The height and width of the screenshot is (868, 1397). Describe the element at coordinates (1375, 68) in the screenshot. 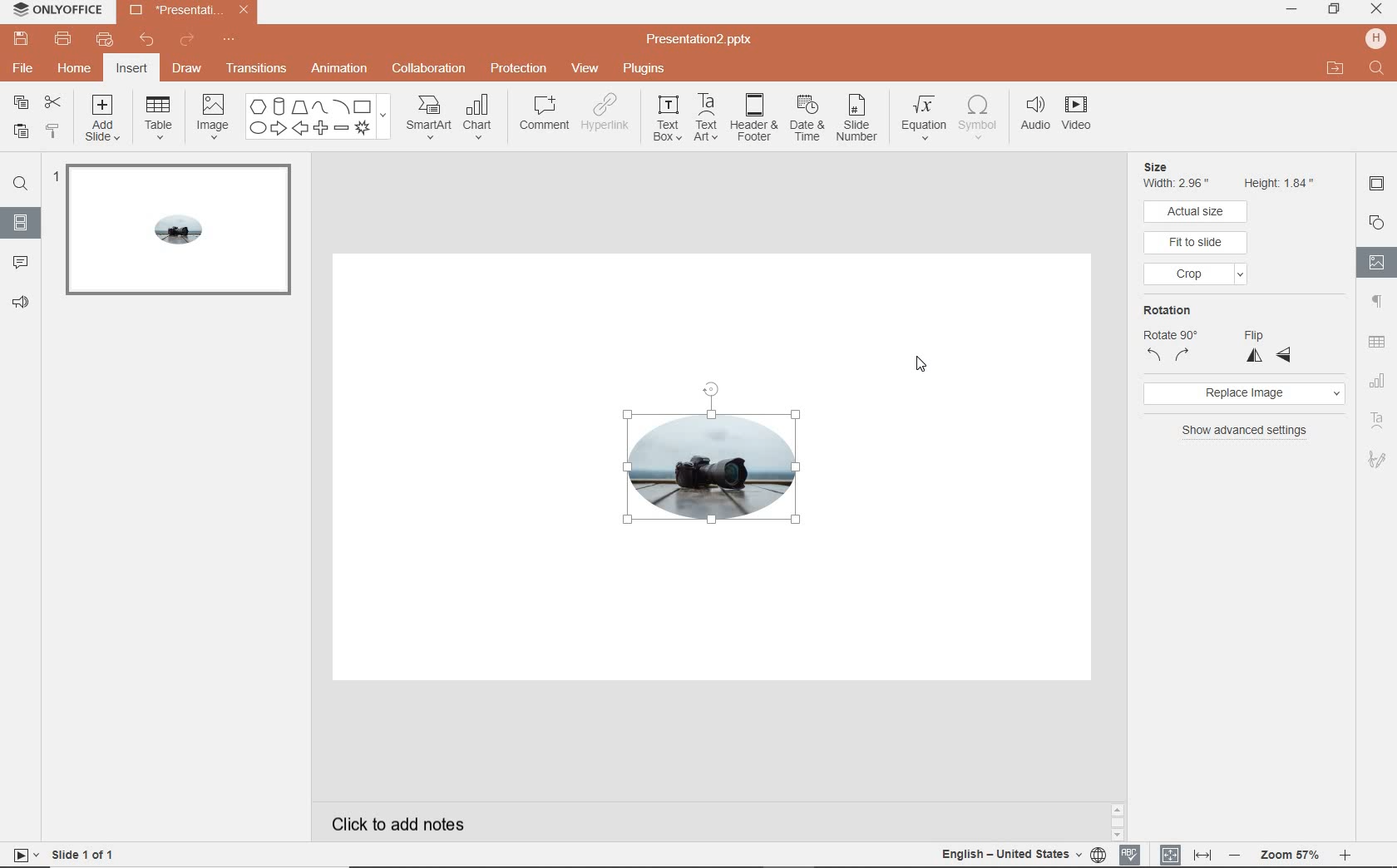

I see `Find` at that location.